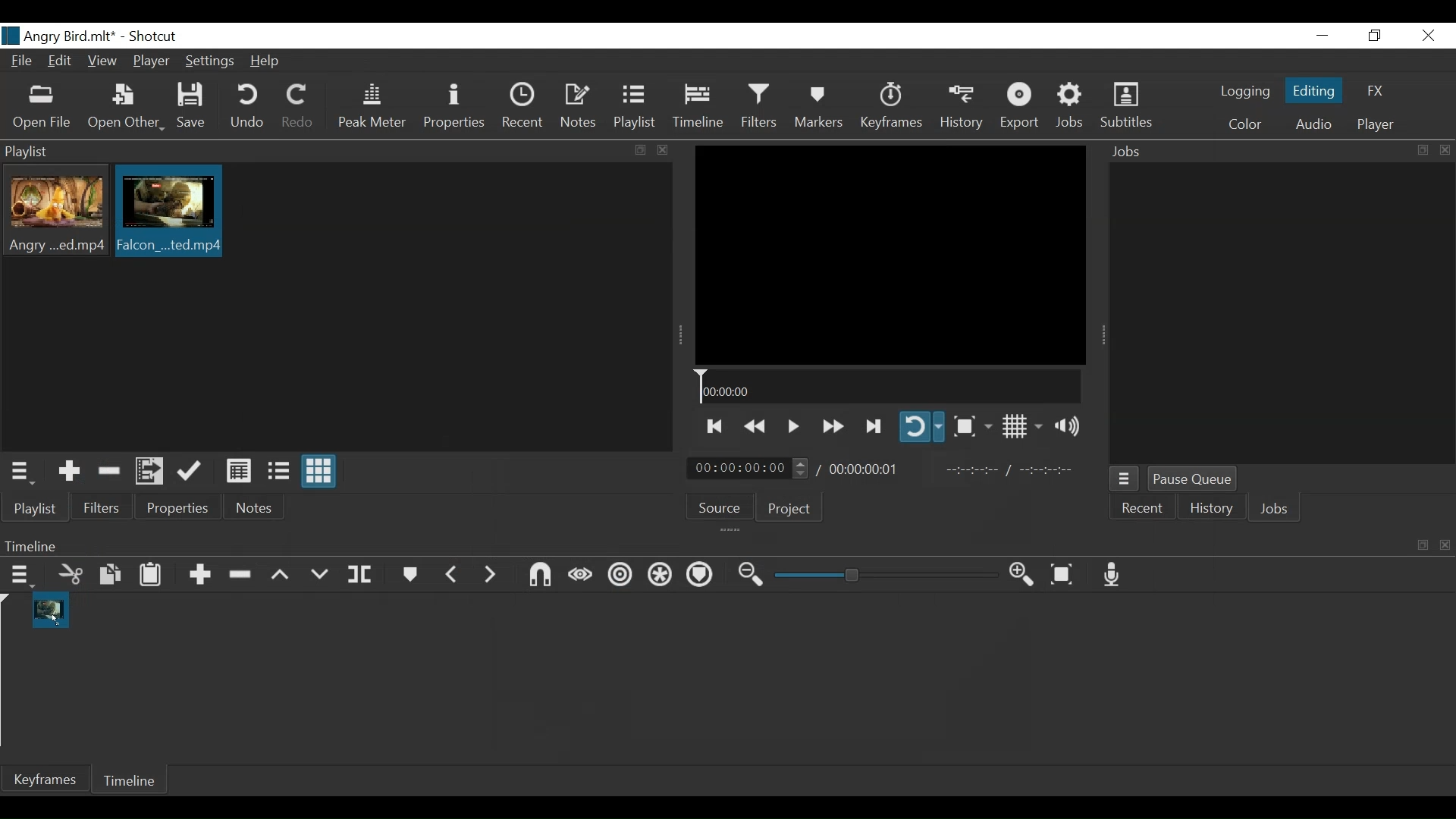 Image resolution: width=1456 pixels, height=819 pixels. Describe the element at coordinates (972, 426) in the screenshot. I see `Toggle zoom` at that location.